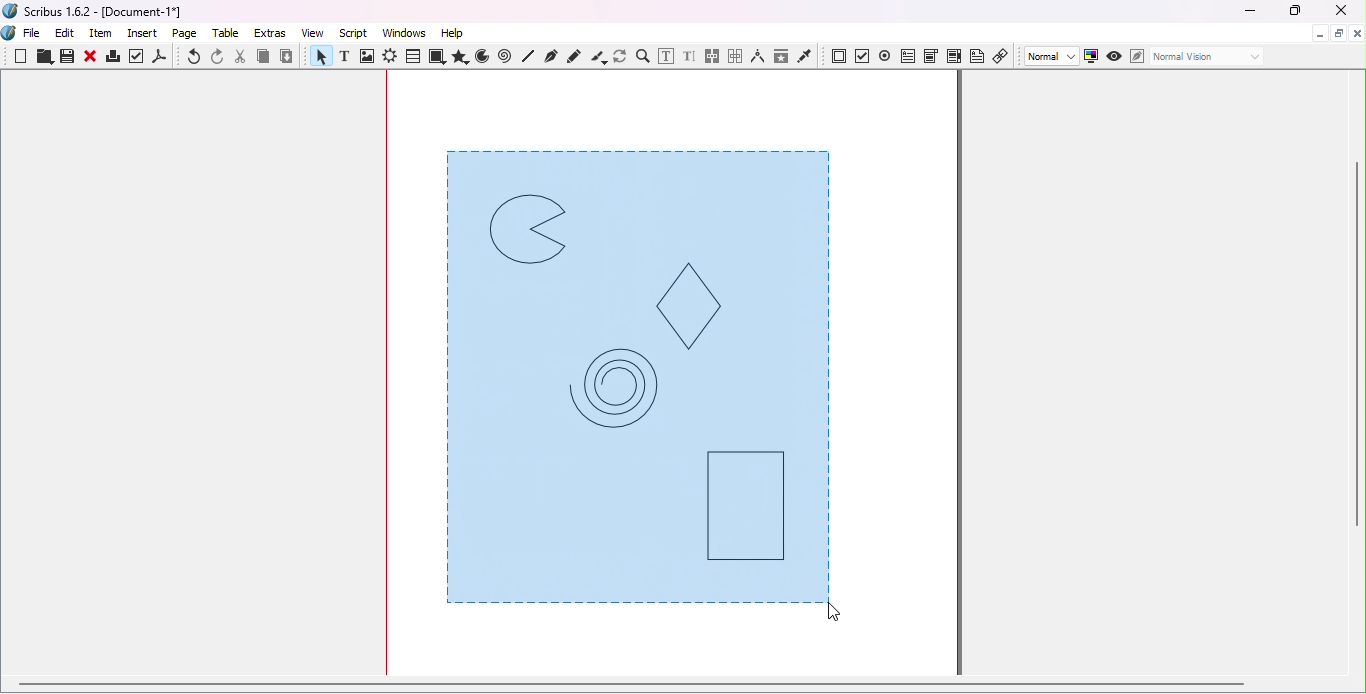  Describe the element at coordinates (713, 57) in the screenshot. I see `Link text frames` at that location.